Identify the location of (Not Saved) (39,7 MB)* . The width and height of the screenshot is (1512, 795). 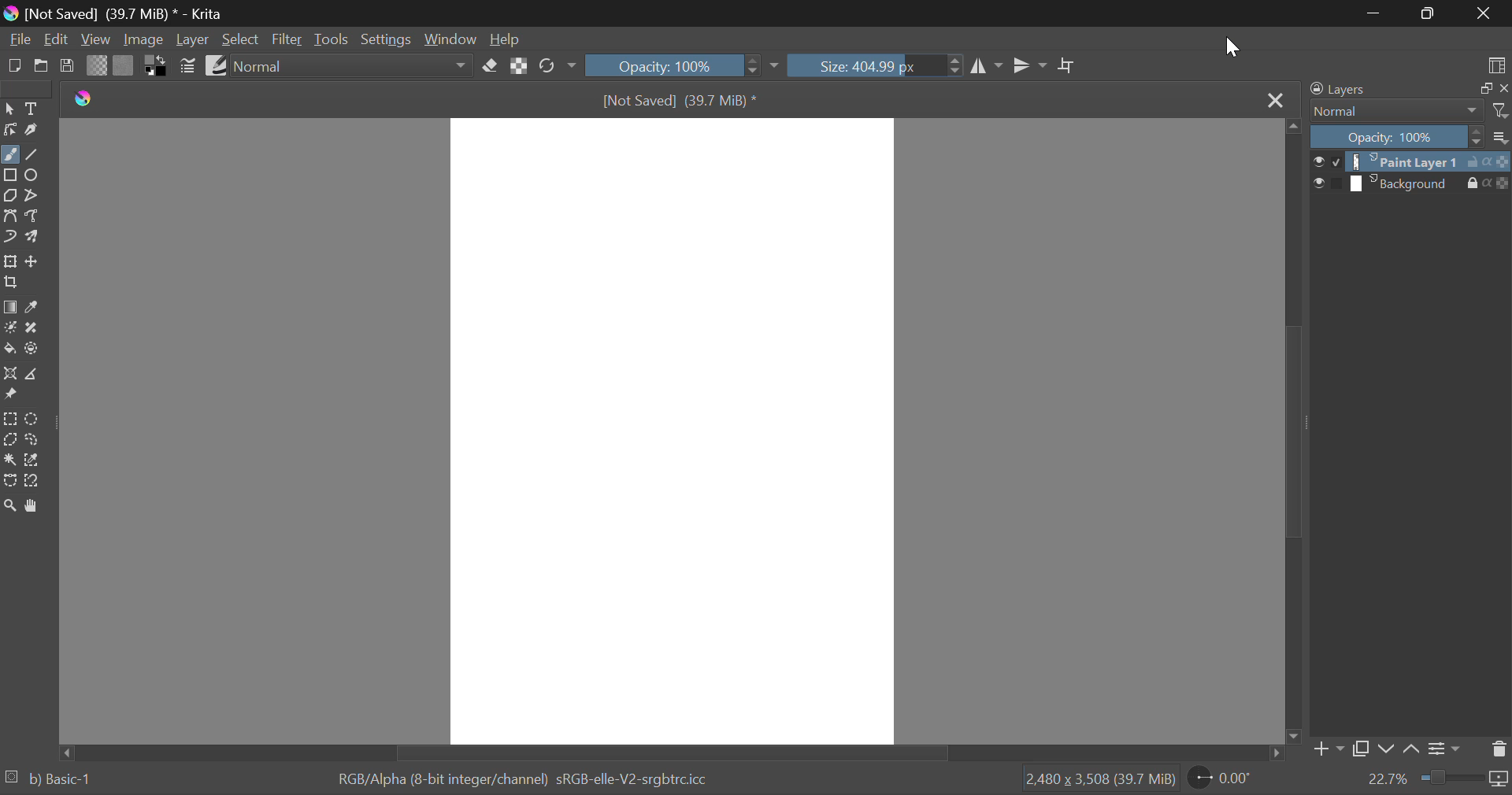
(676, 98).